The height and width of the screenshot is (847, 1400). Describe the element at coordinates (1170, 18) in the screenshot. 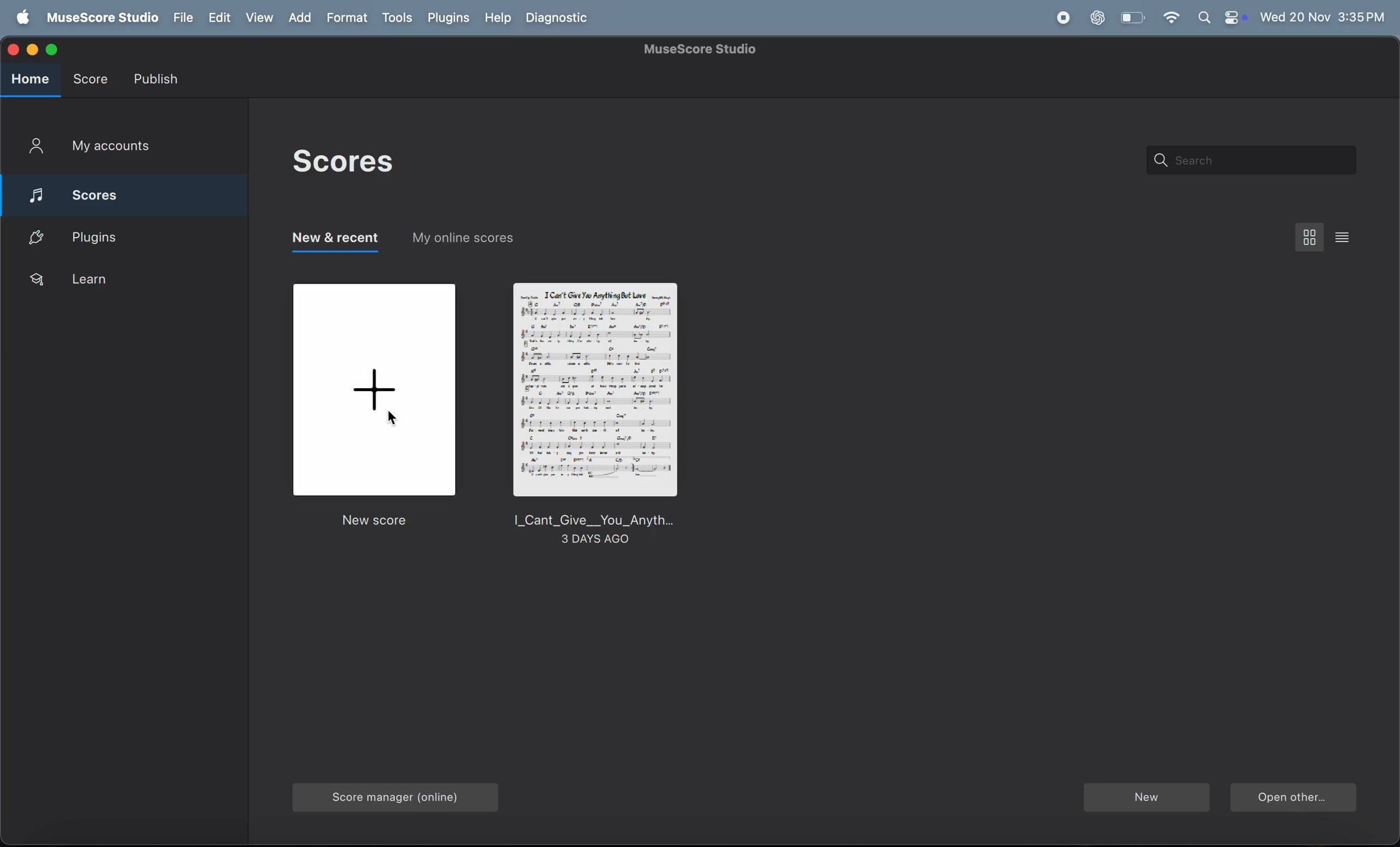

I see `wifi` at that location.